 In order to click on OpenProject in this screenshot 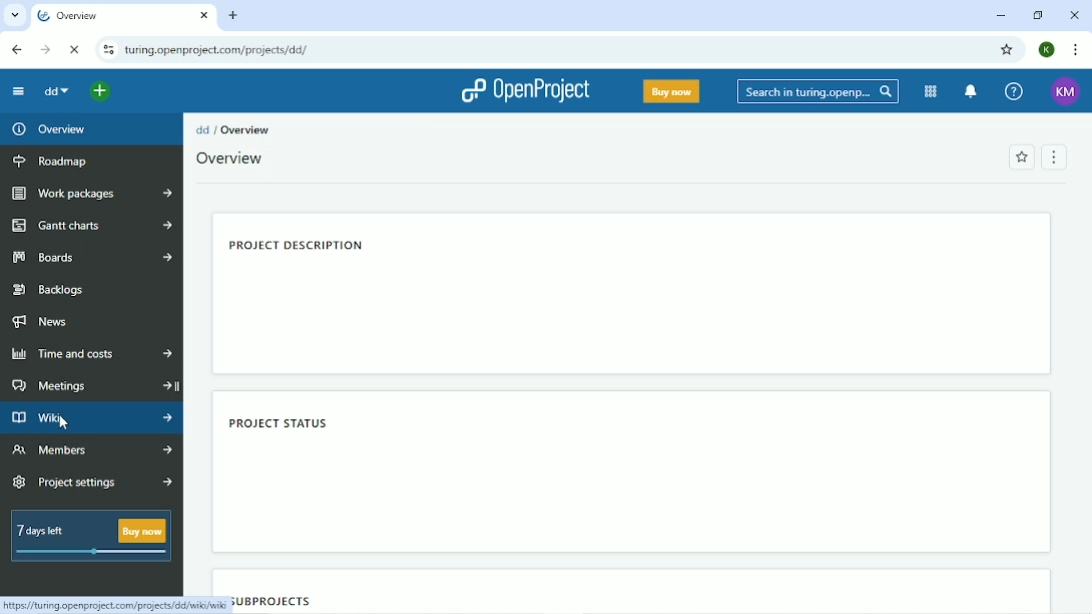, I will do `click(523, 92)`.